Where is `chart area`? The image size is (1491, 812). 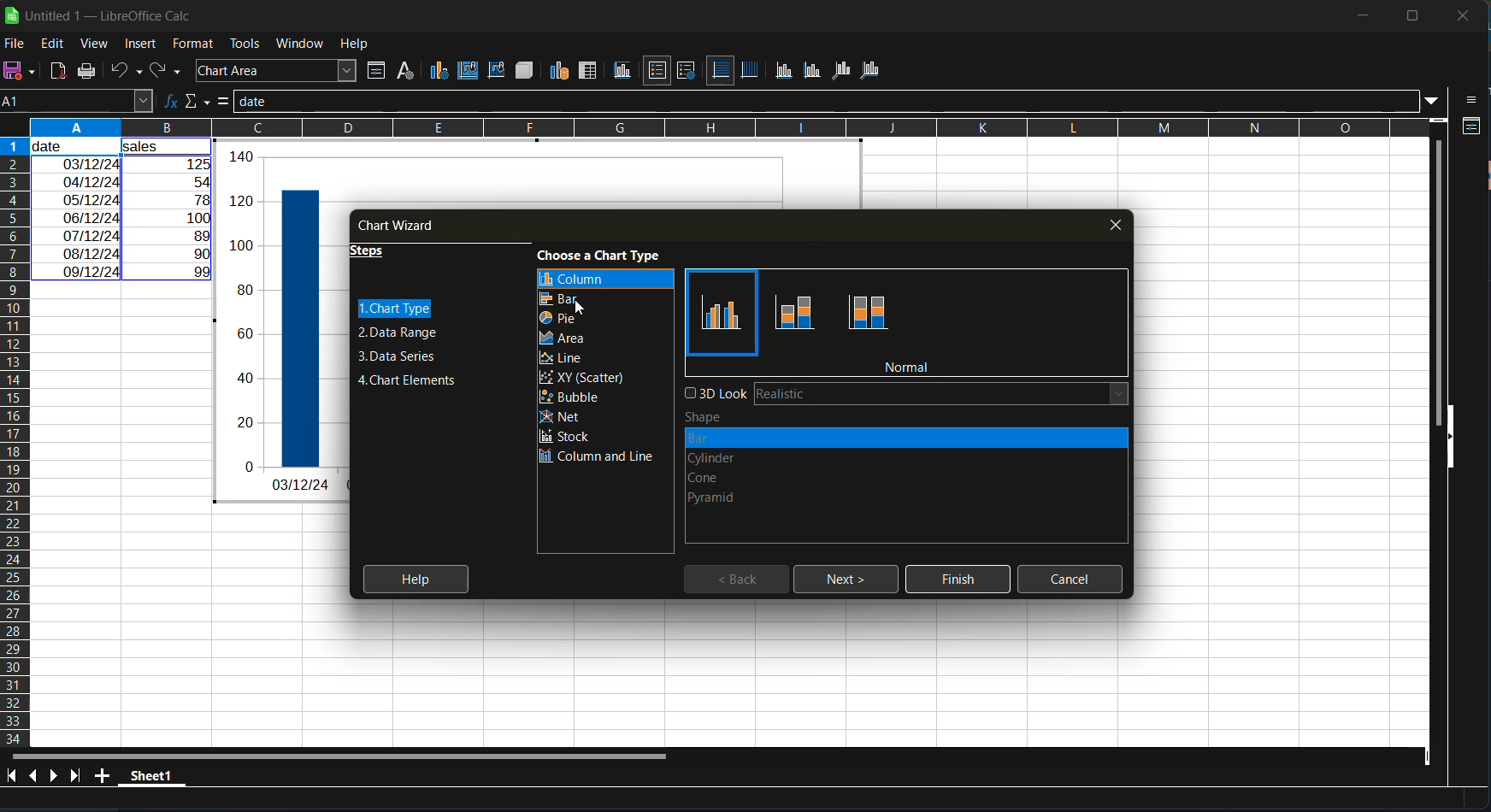 chart area is located at coordinates (467, 71).